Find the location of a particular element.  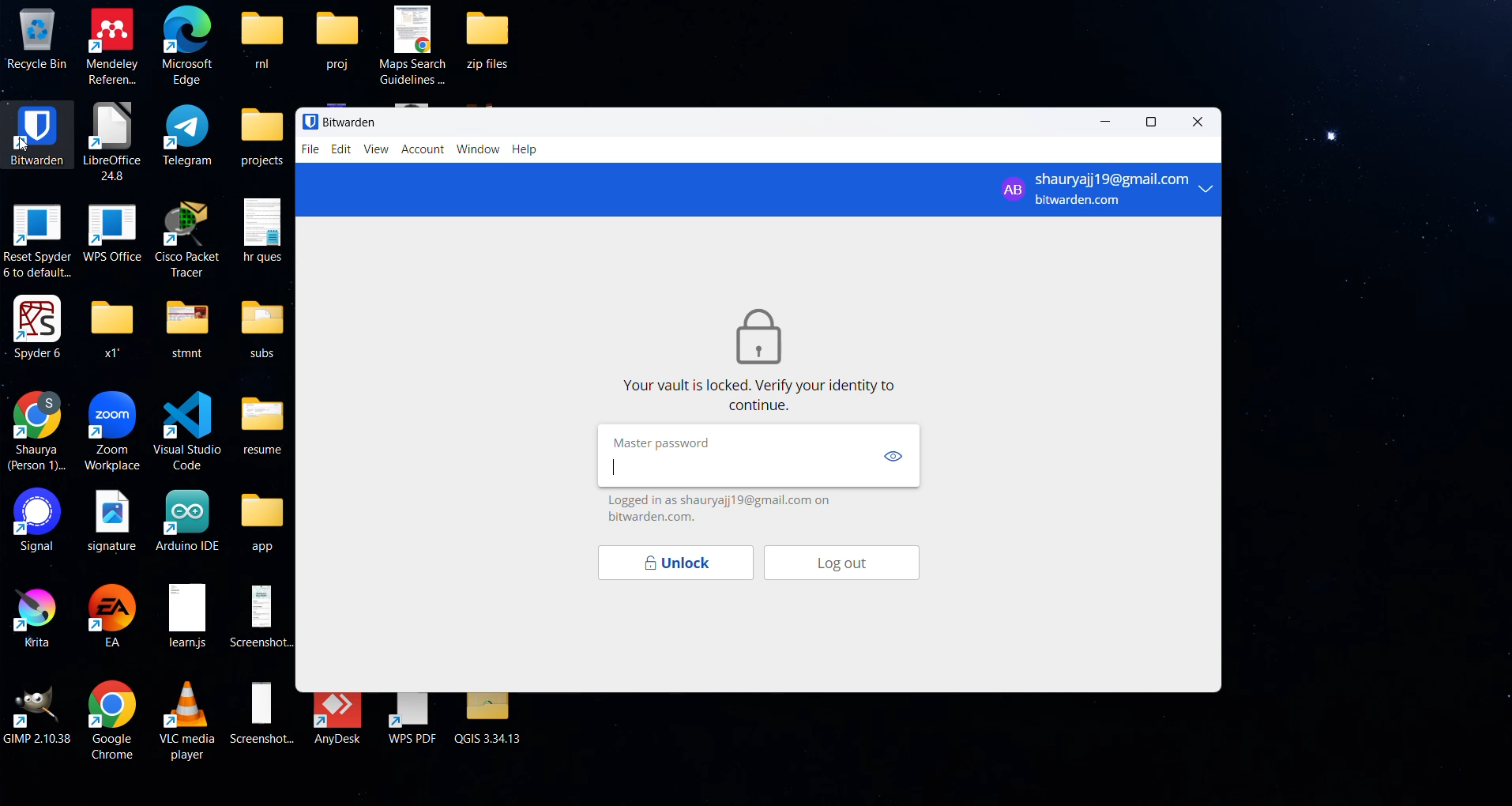

Log out is located at coordinates (853, 565).